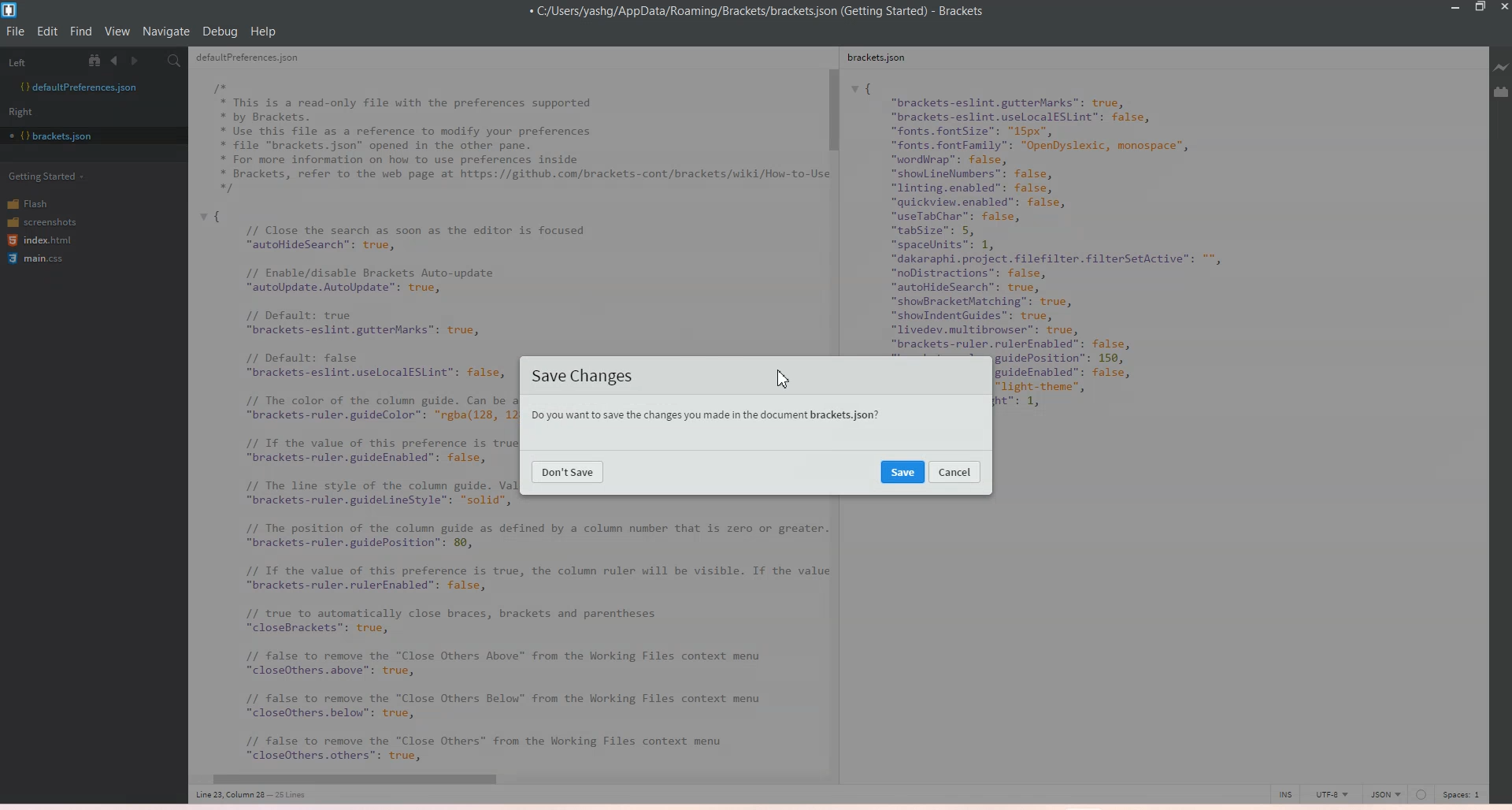  I want to click on No linter available, so click(1421, 795).